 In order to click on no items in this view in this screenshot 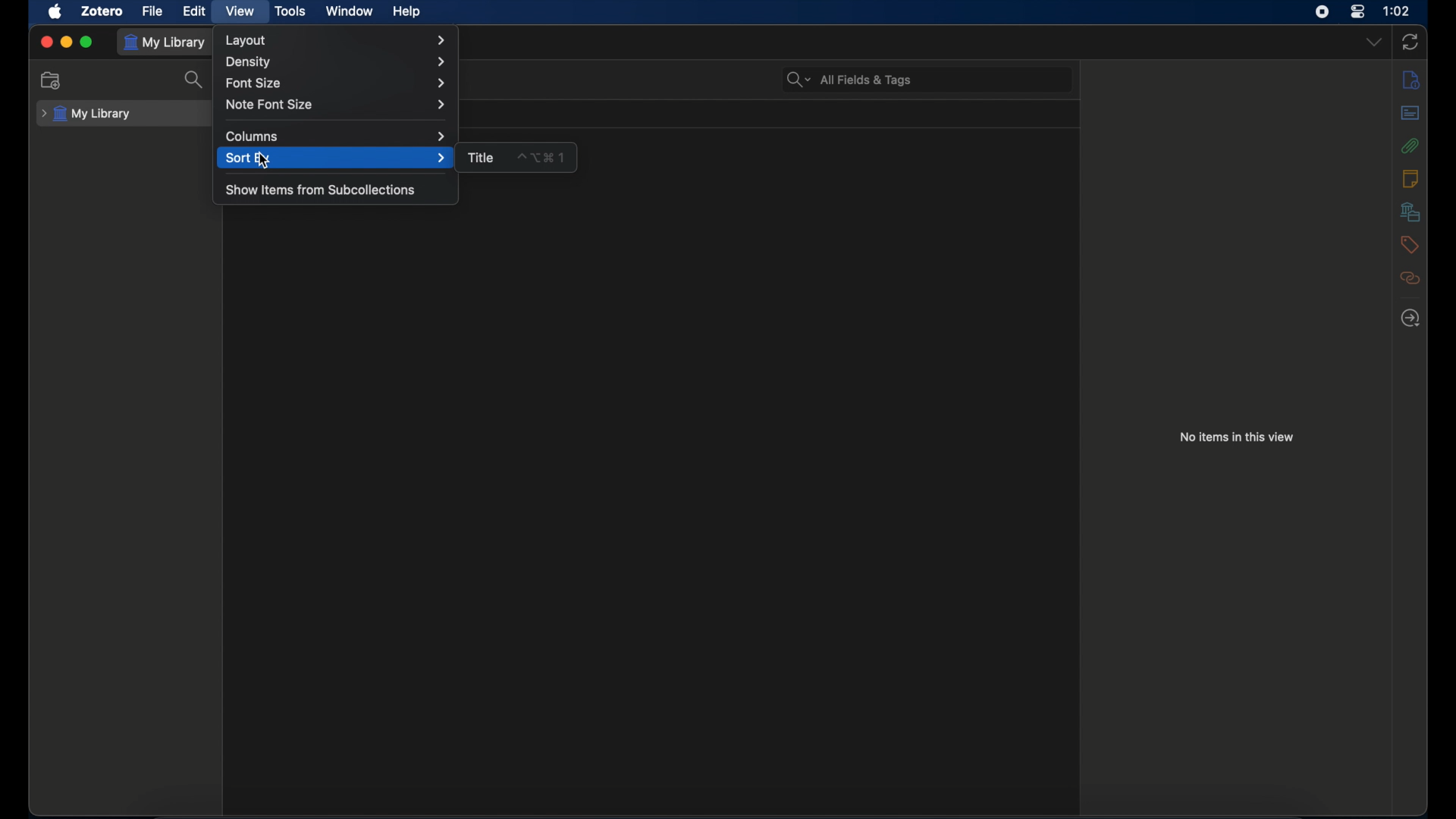, I will do `click(1237, 437)`.